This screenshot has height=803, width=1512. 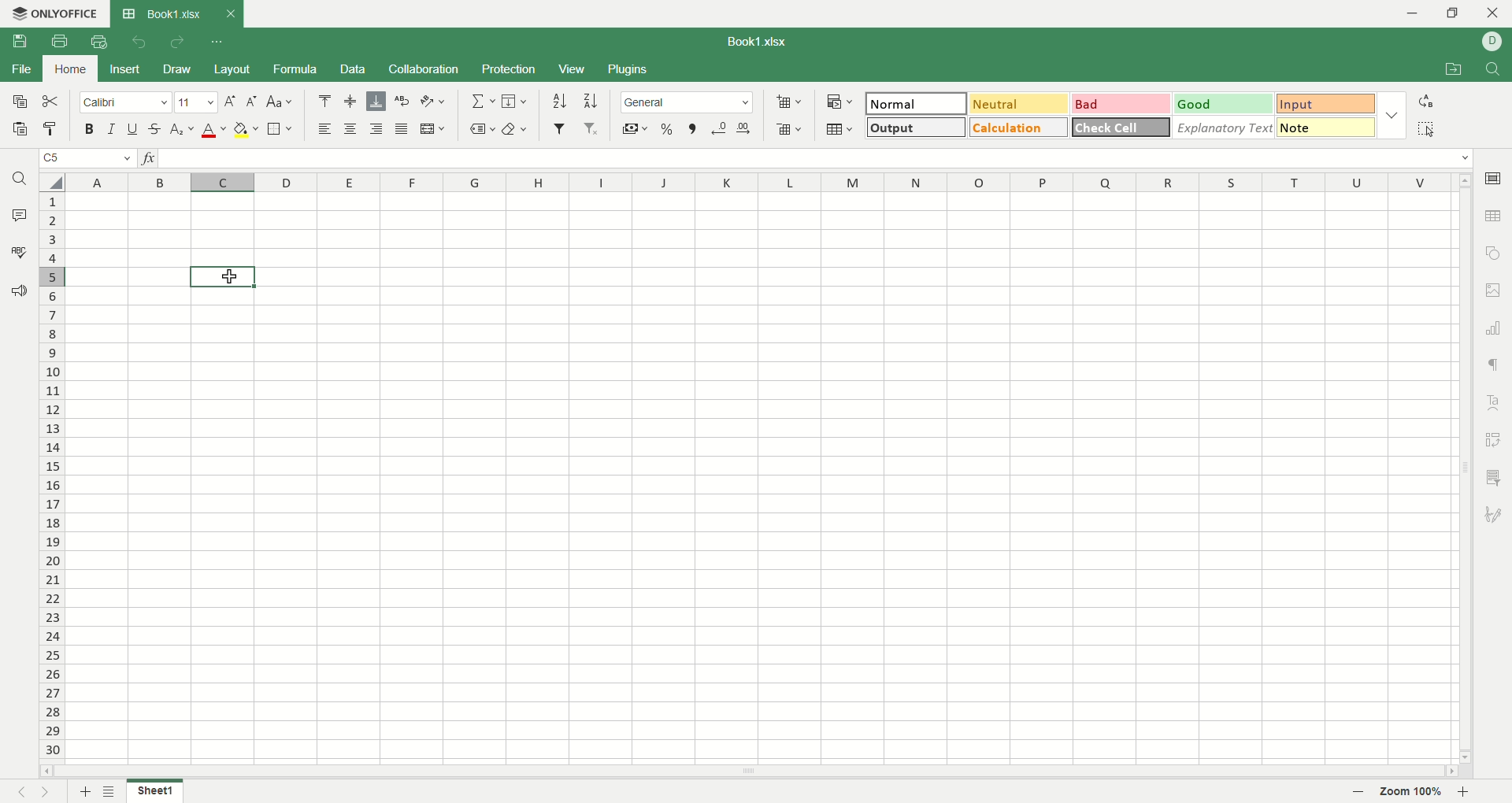 I want to click on copy, so click(x=18, y=105).